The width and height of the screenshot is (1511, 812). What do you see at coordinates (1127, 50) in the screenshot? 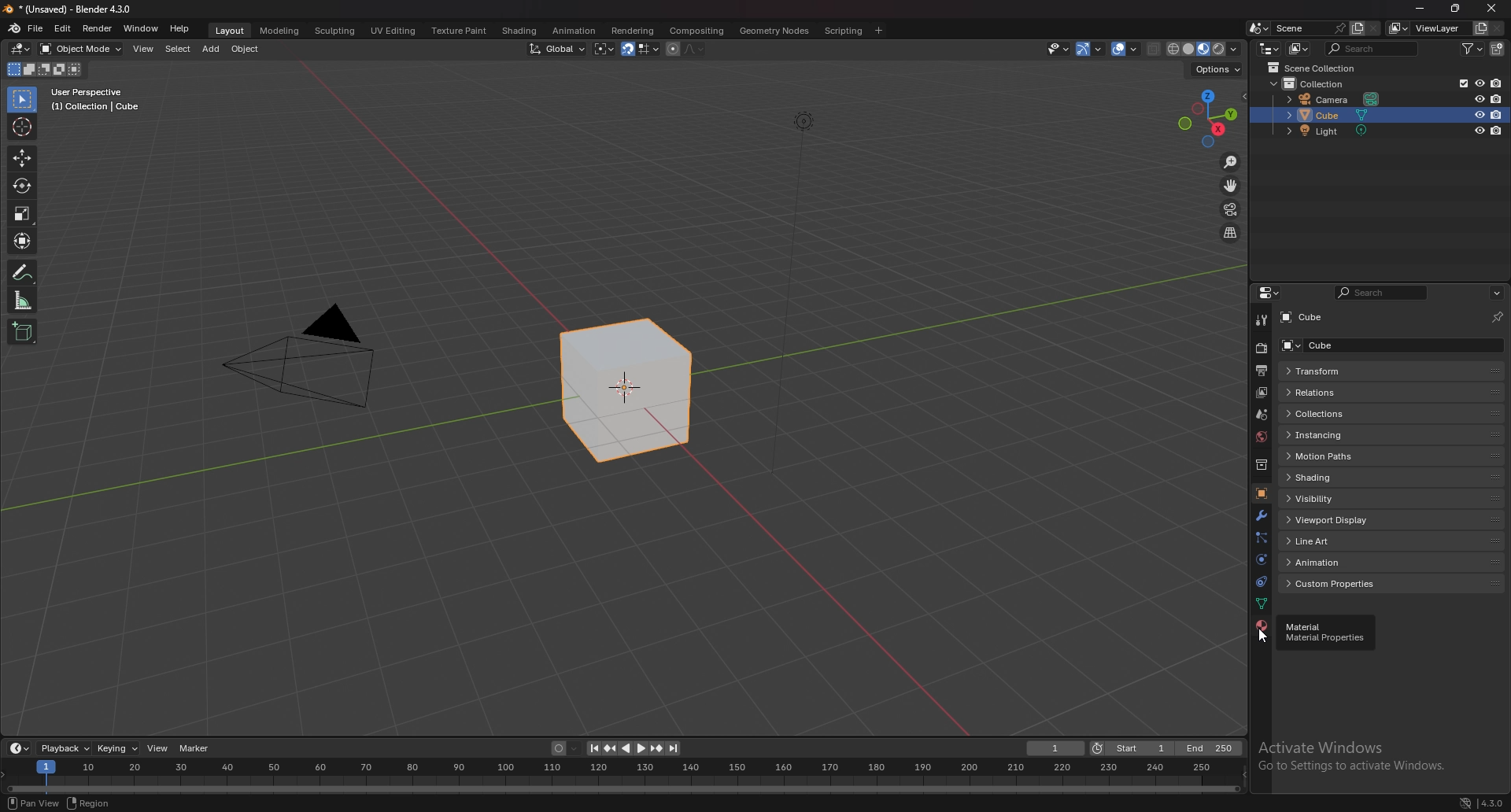
I see `overlays` at bounding box center [1127, 50].